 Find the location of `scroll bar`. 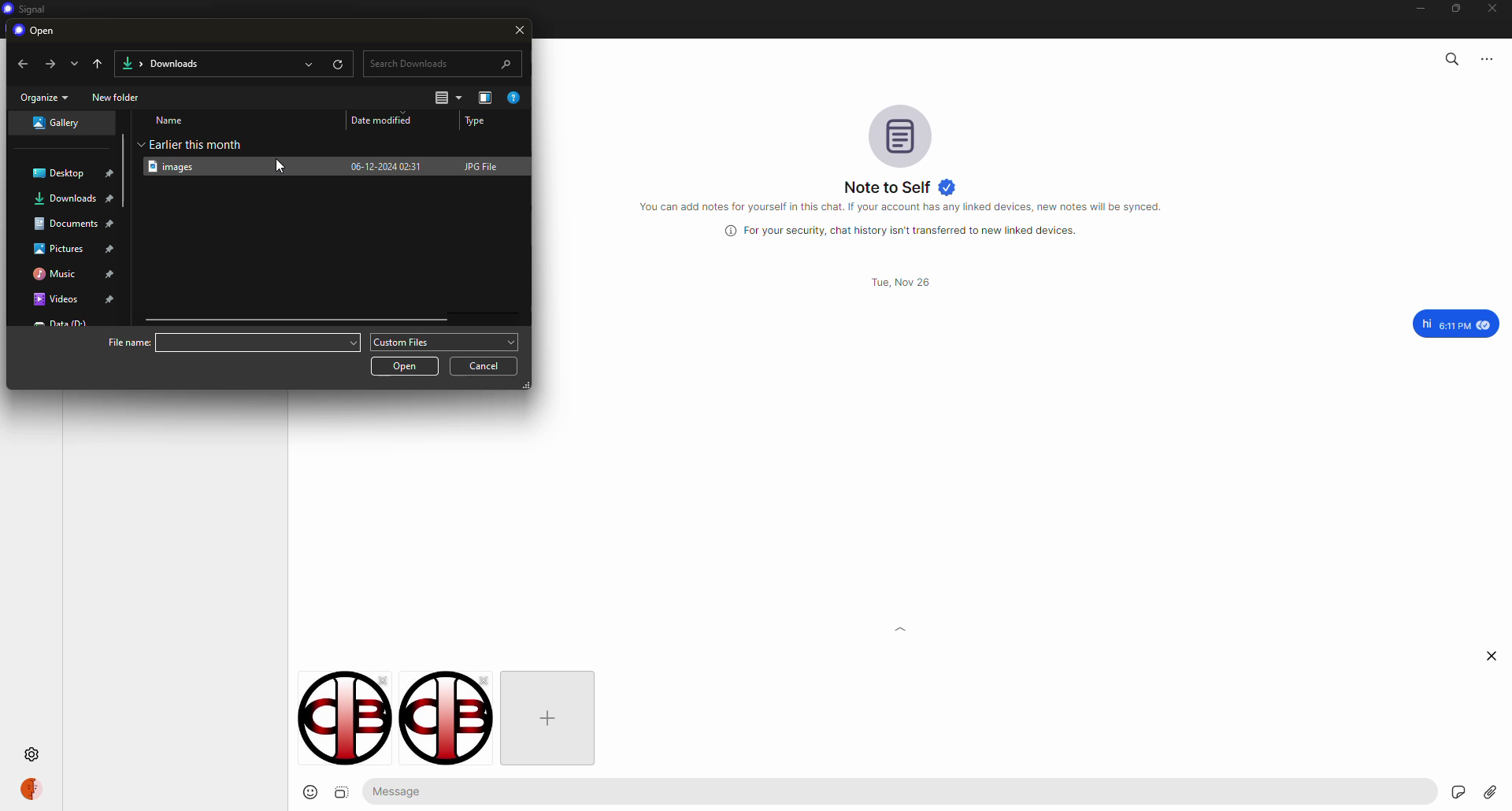

scroll bar is located at coordinates (299, 320).